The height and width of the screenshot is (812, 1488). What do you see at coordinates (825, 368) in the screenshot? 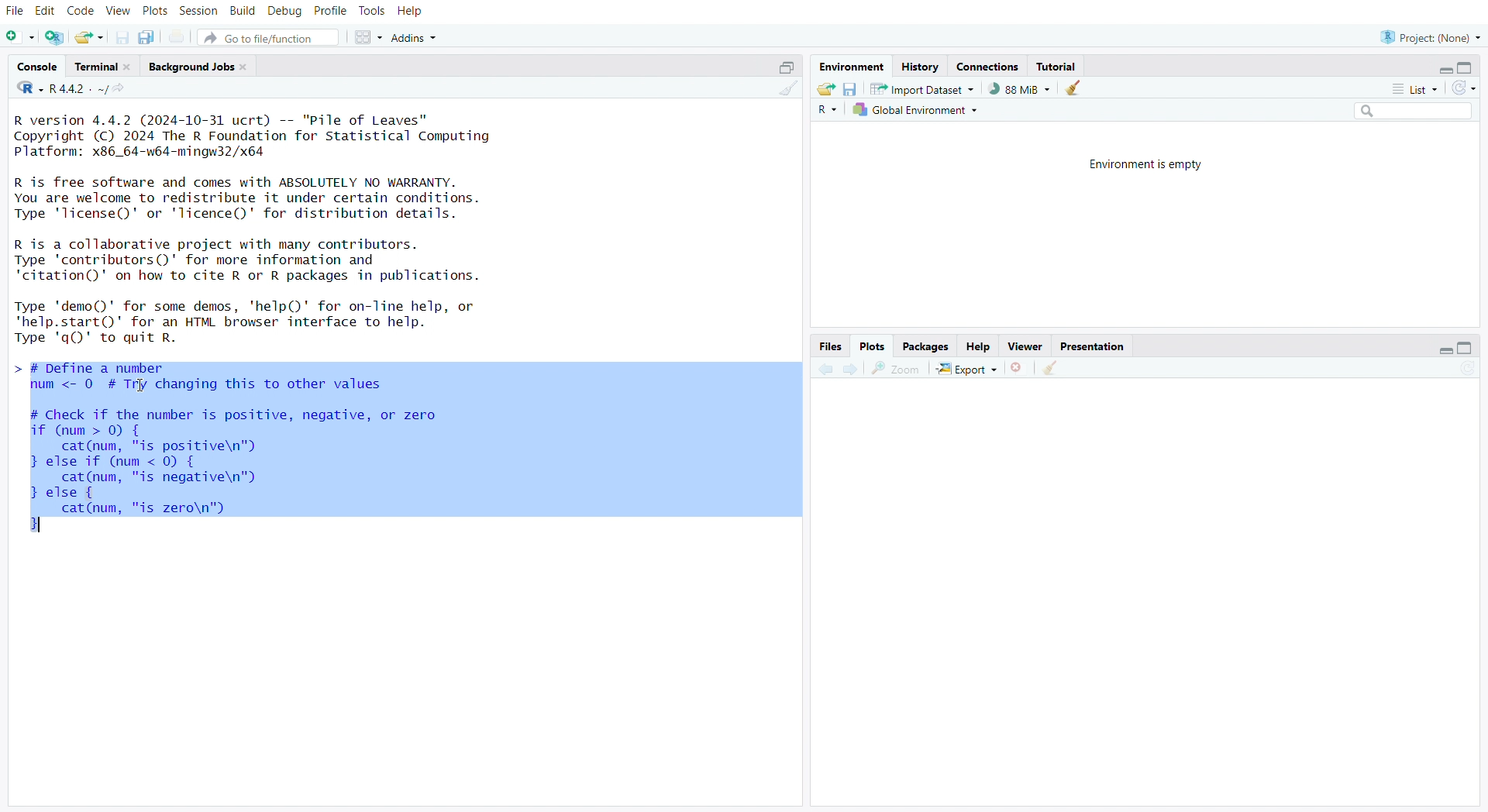
I see `backward` at bounding box center [825, 368].